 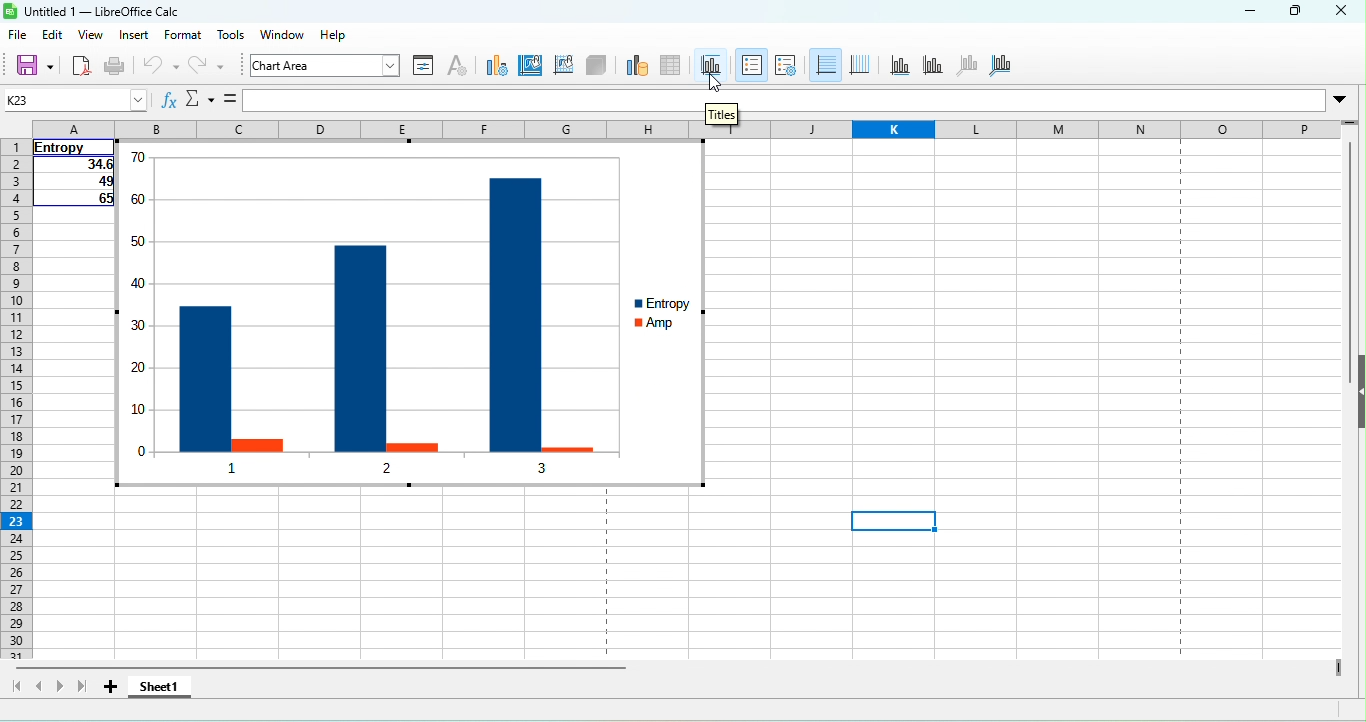 What do you see at coordinates (1010, 69) in the screenshot?
I see `all axes` at bounding box center [1010, 69].